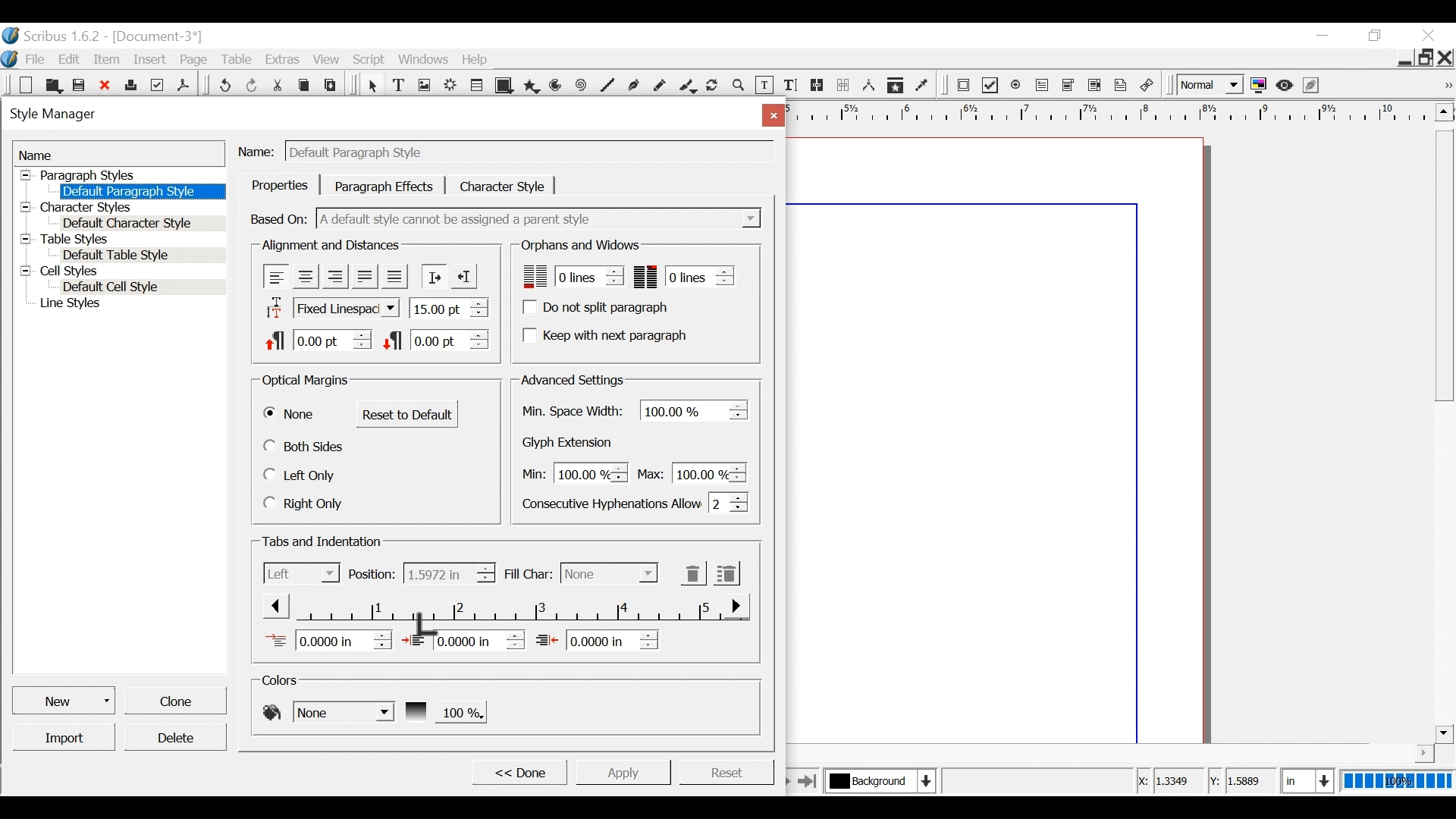 This screenshot has height=819, width=1456. I want to click on Zoom, so click(739, 87).